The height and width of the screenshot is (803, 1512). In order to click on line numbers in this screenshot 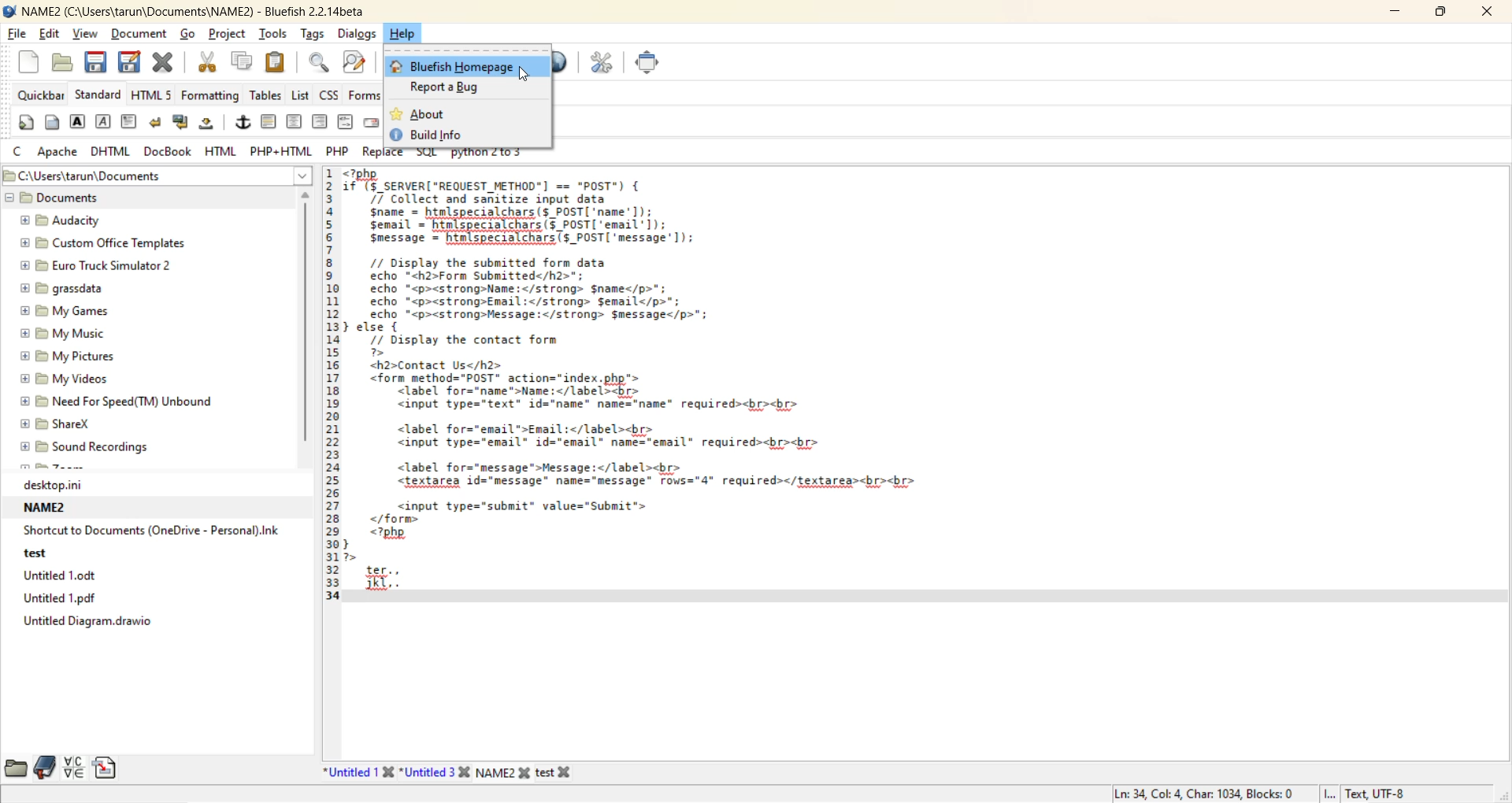, I will do `click(334, 382)`.